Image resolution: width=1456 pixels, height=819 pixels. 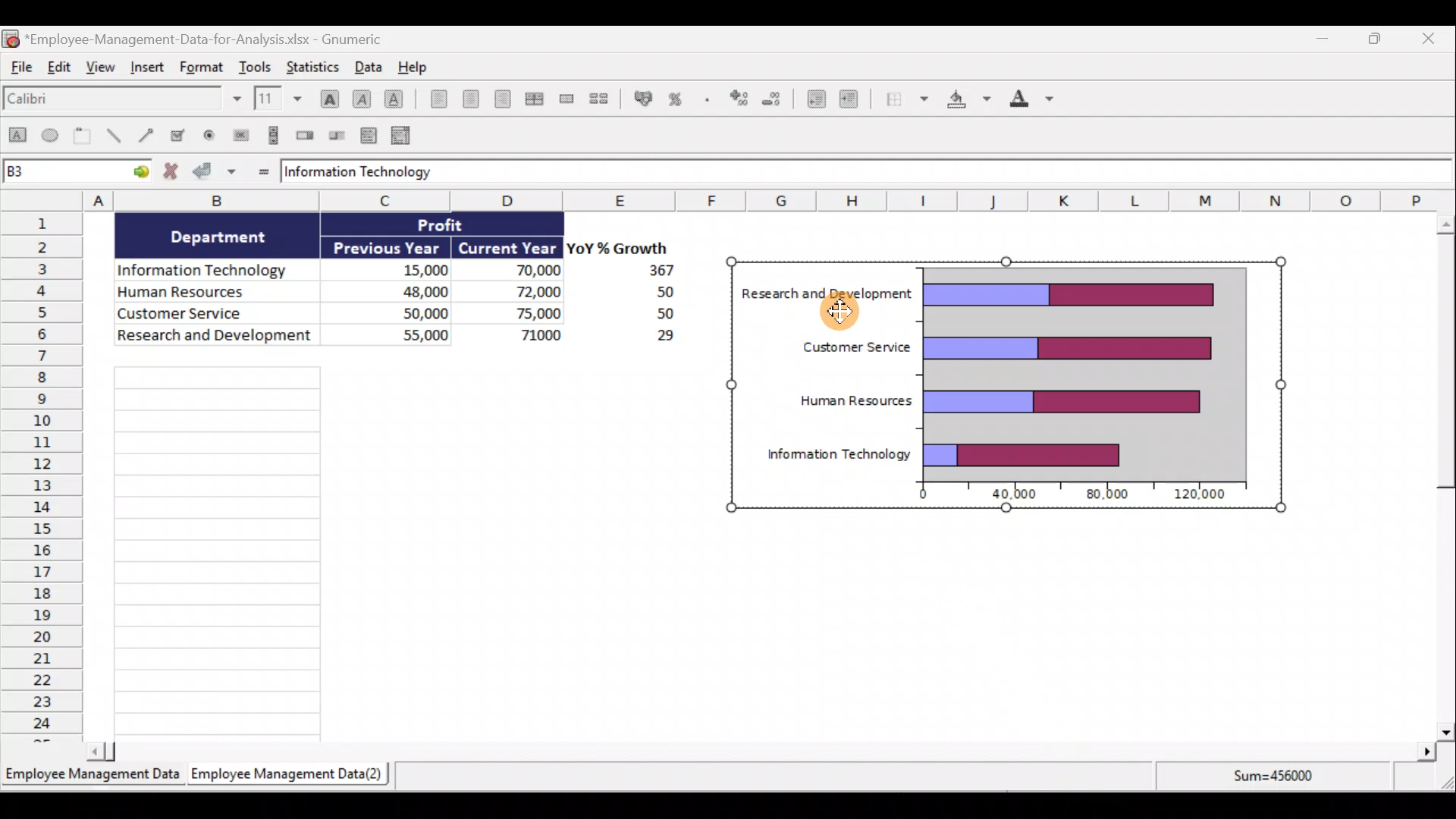 What do you see at coordinates (953, 173) in the screenshot?
I see `Formula bar` at bounding box center [953, 173].